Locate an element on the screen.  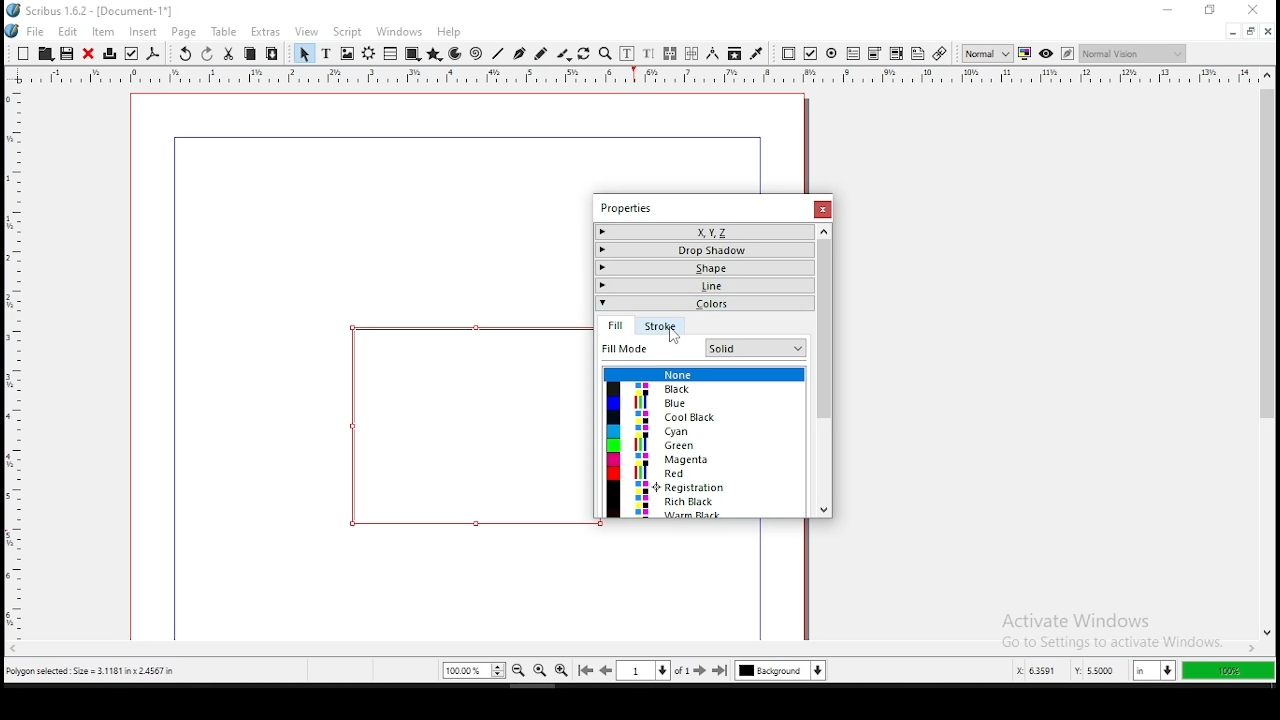
restore is located at coordinates (1251, 32).